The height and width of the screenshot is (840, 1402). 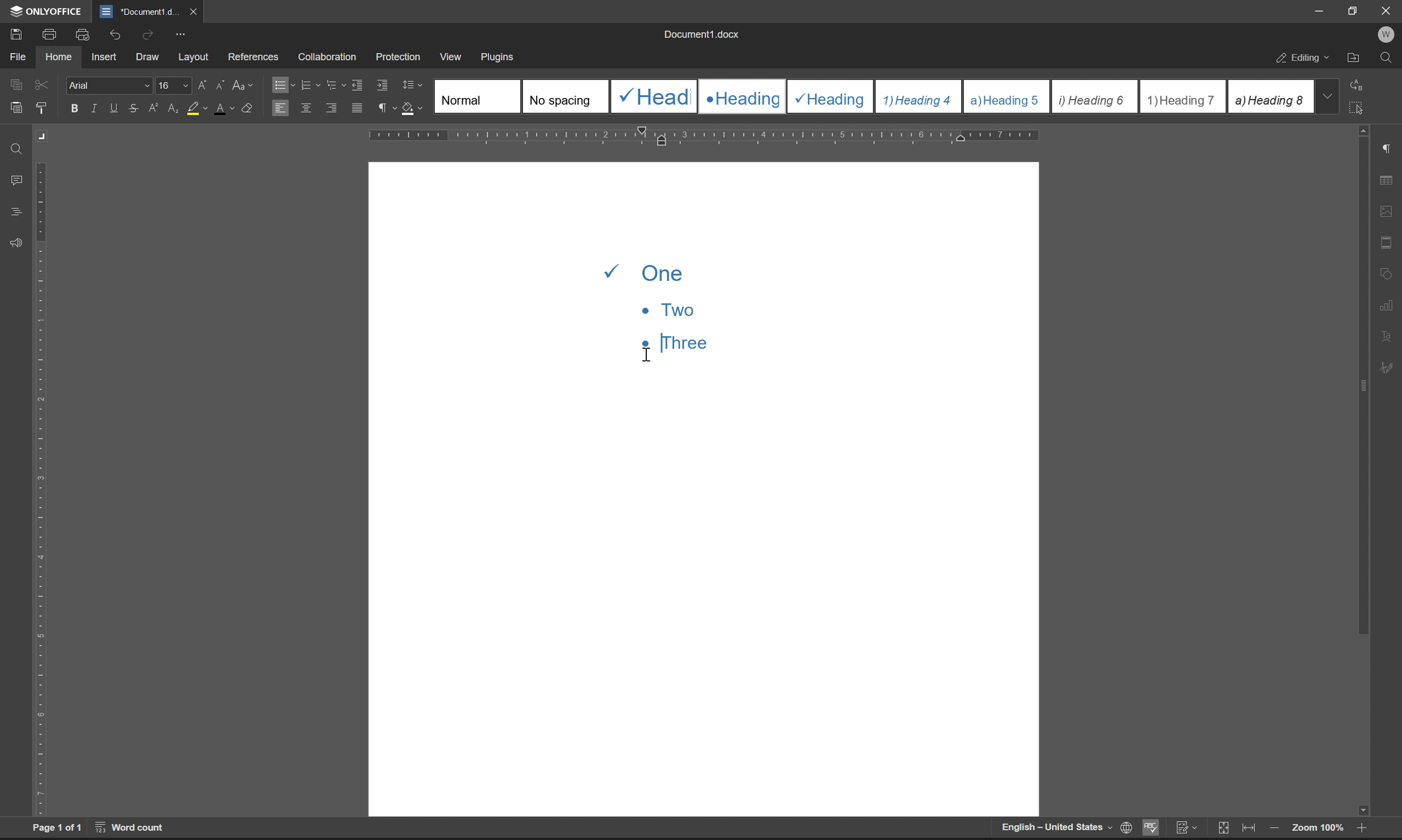 I want to click on align left, so click(x=280, y=107).